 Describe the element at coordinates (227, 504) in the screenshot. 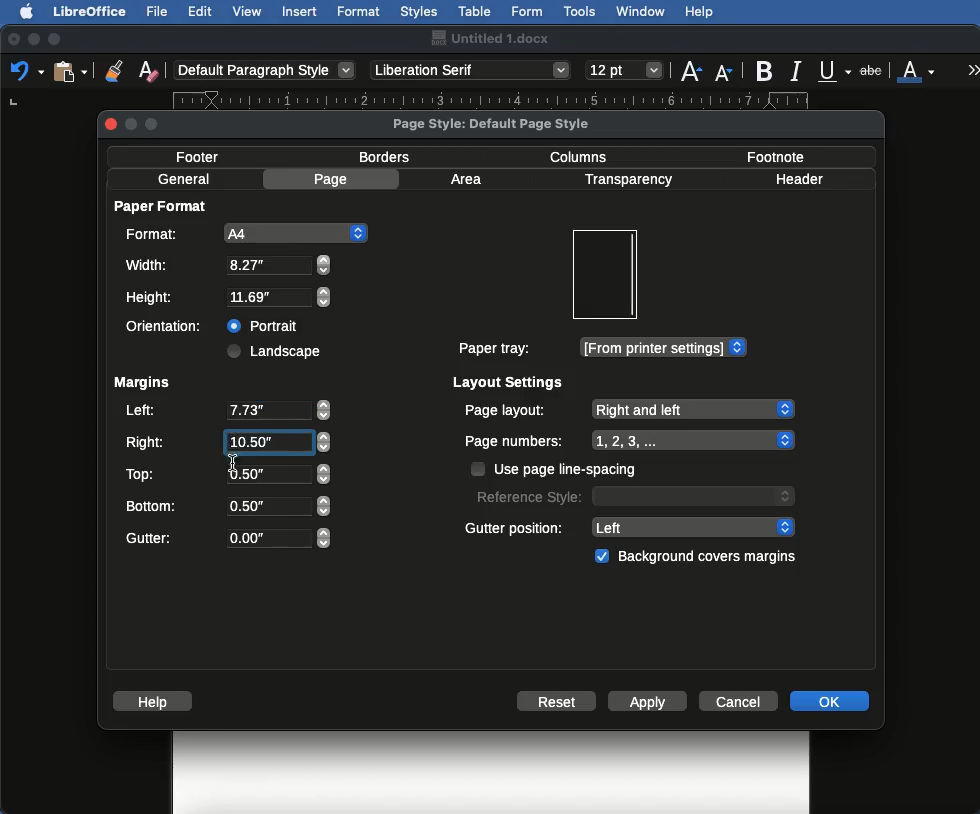

I see `Bottom` at that location.